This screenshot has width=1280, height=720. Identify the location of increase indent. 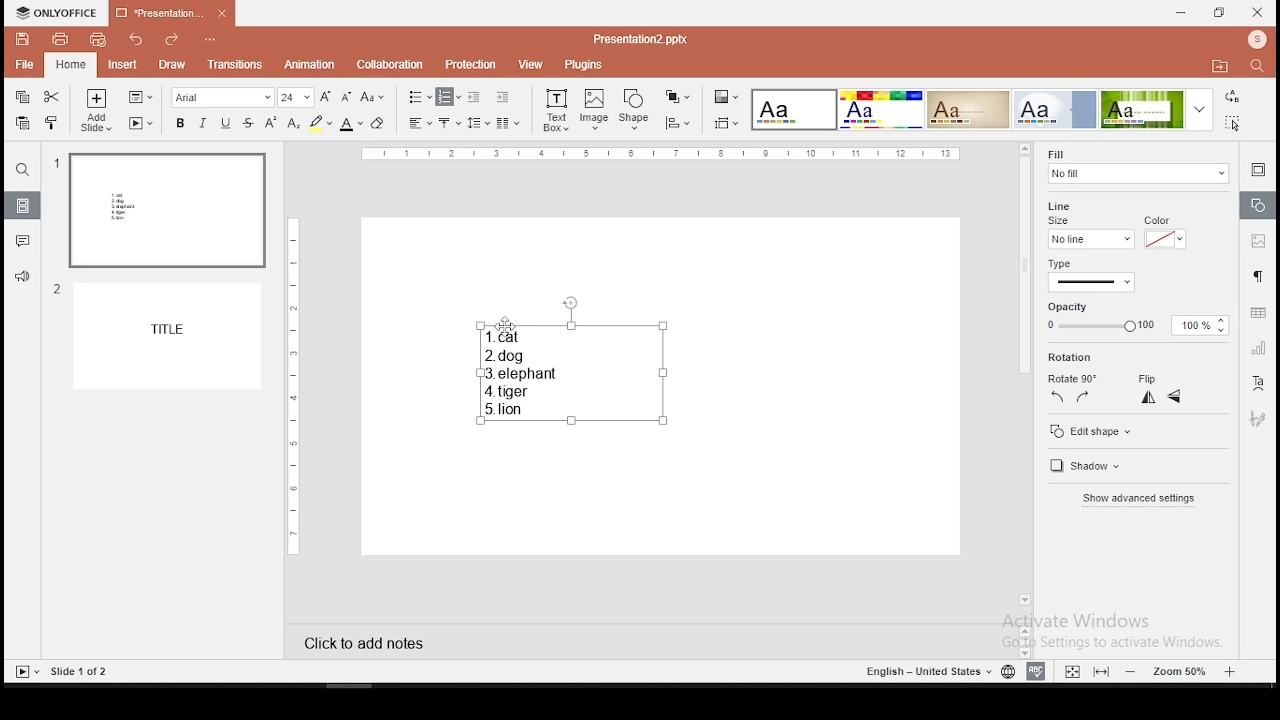
(503, 96).